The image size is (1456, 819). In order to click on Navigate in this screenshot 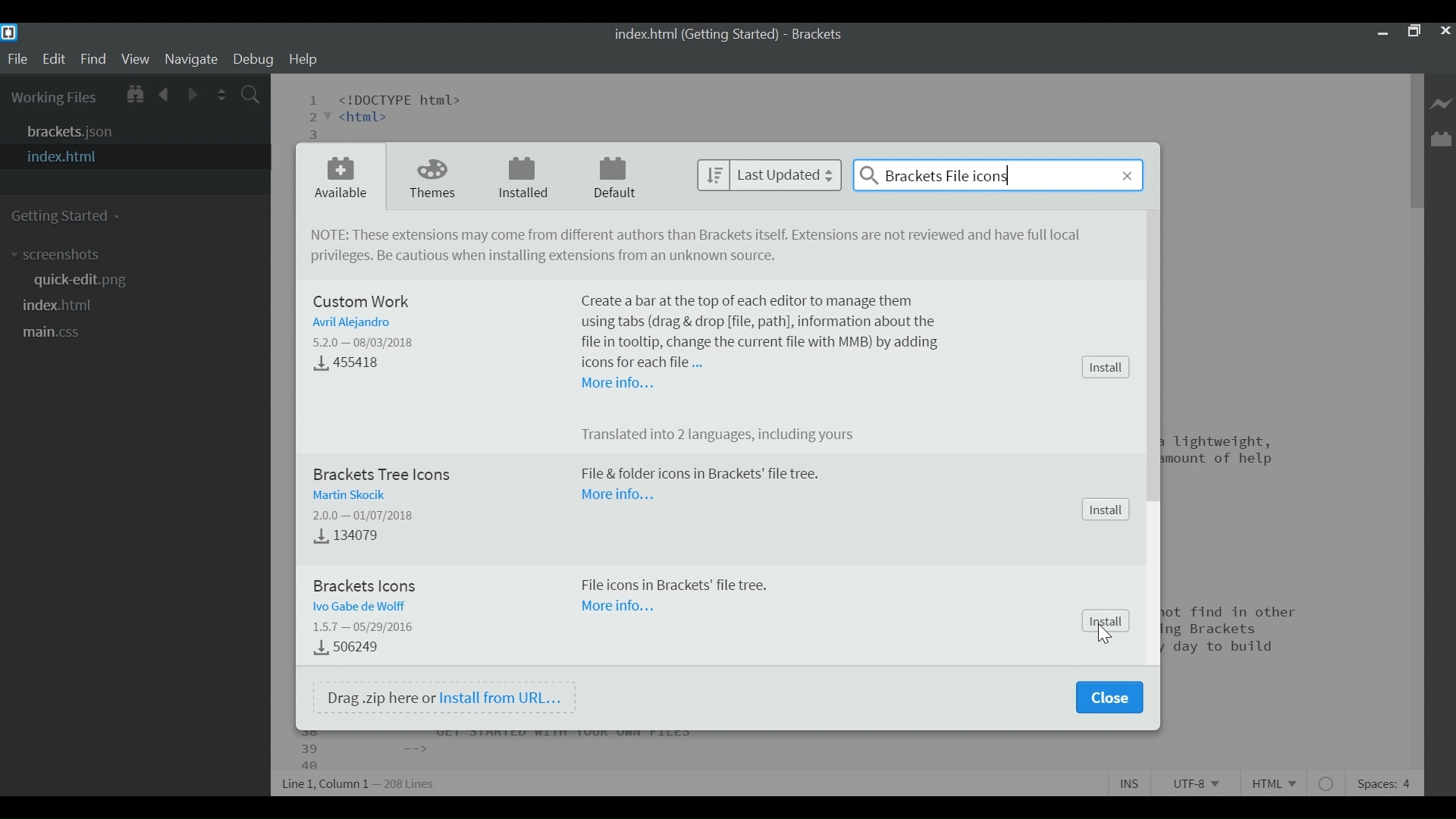, I will do `click(193, 60)`.